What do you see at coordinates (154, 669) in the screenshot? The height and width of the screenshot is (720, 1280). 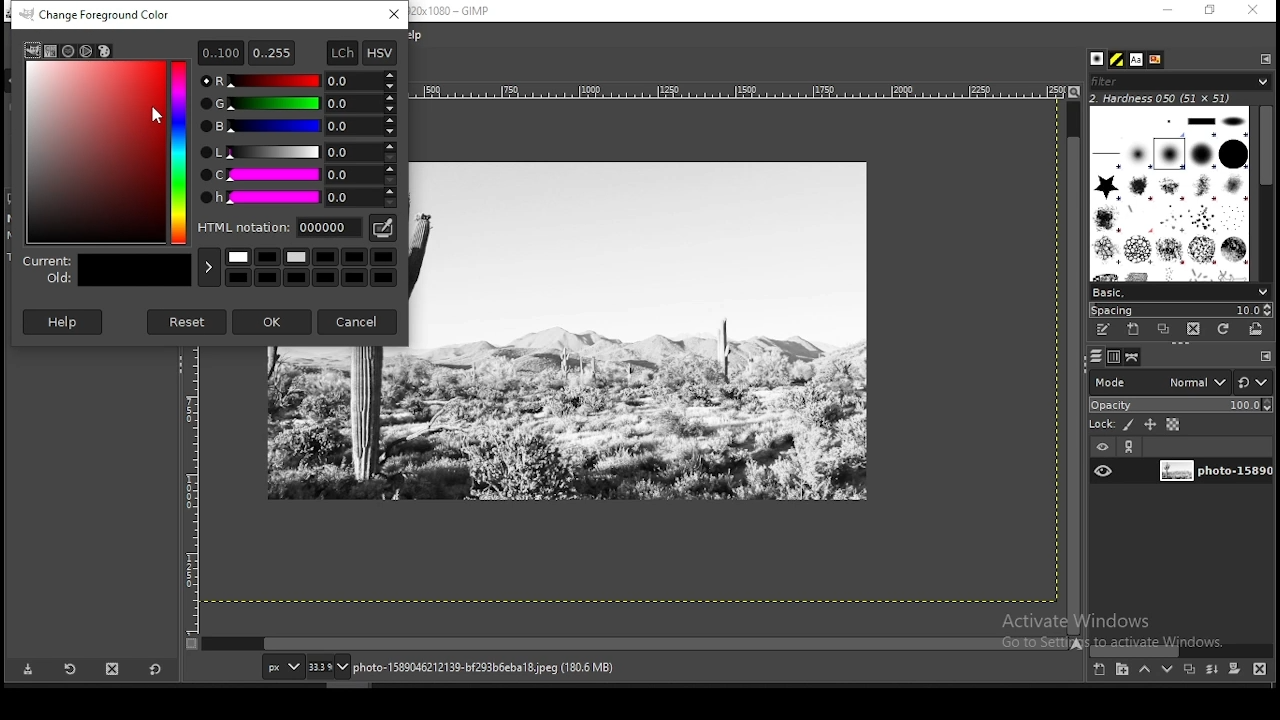 I see `reset to defaults` at bounding box center [154, 669].